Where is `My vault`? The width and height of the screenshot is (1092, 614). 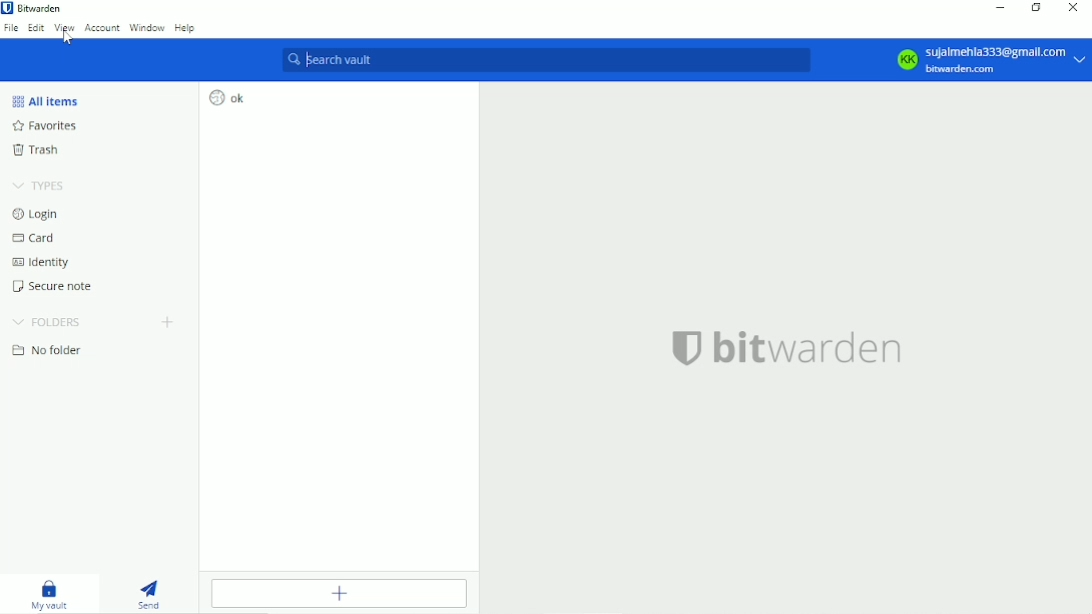 My vault is located at coordinates (49, 593).